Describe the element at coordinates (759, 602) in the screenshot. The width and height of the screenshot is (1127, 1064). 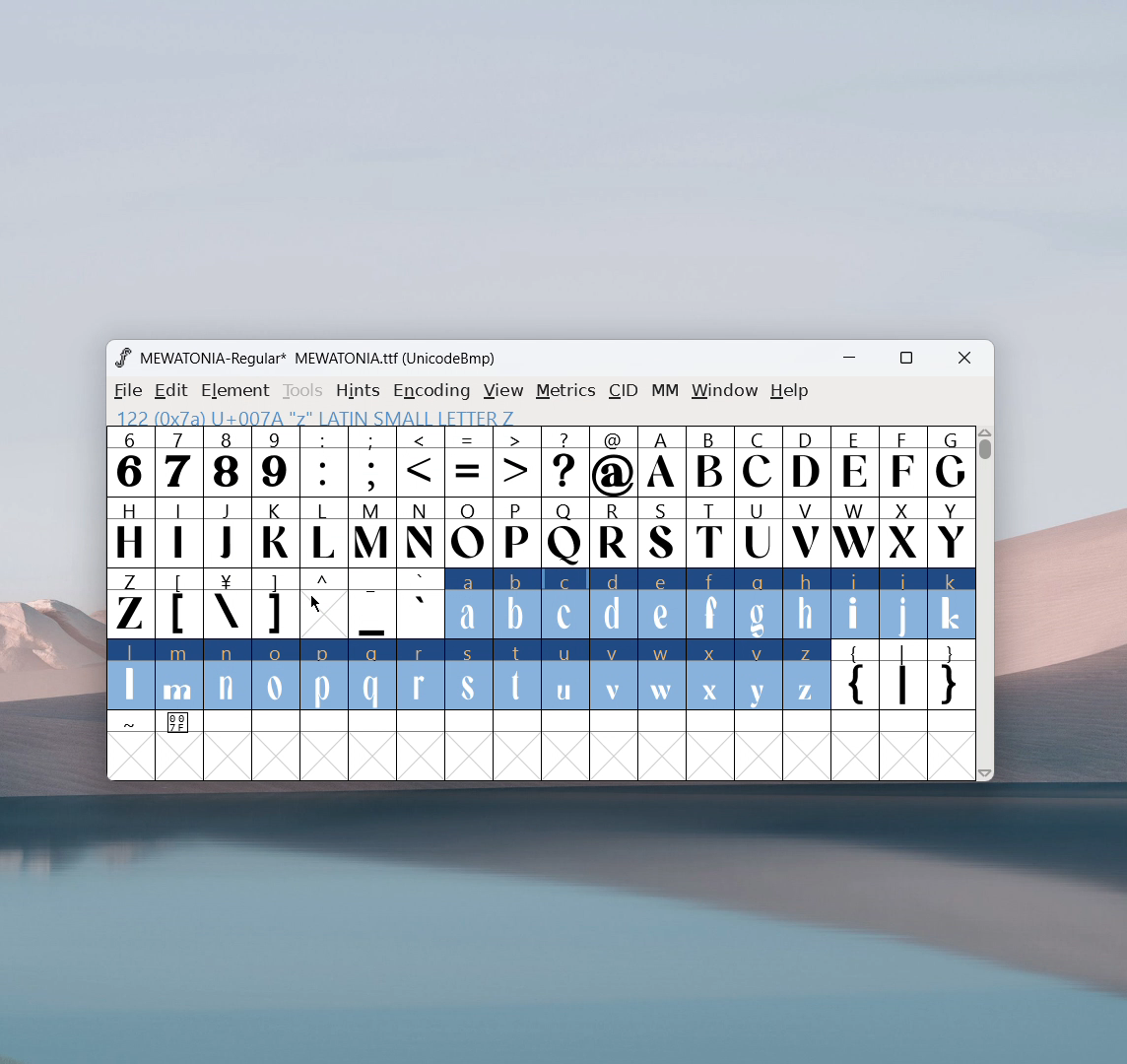
I see `g` at that location.